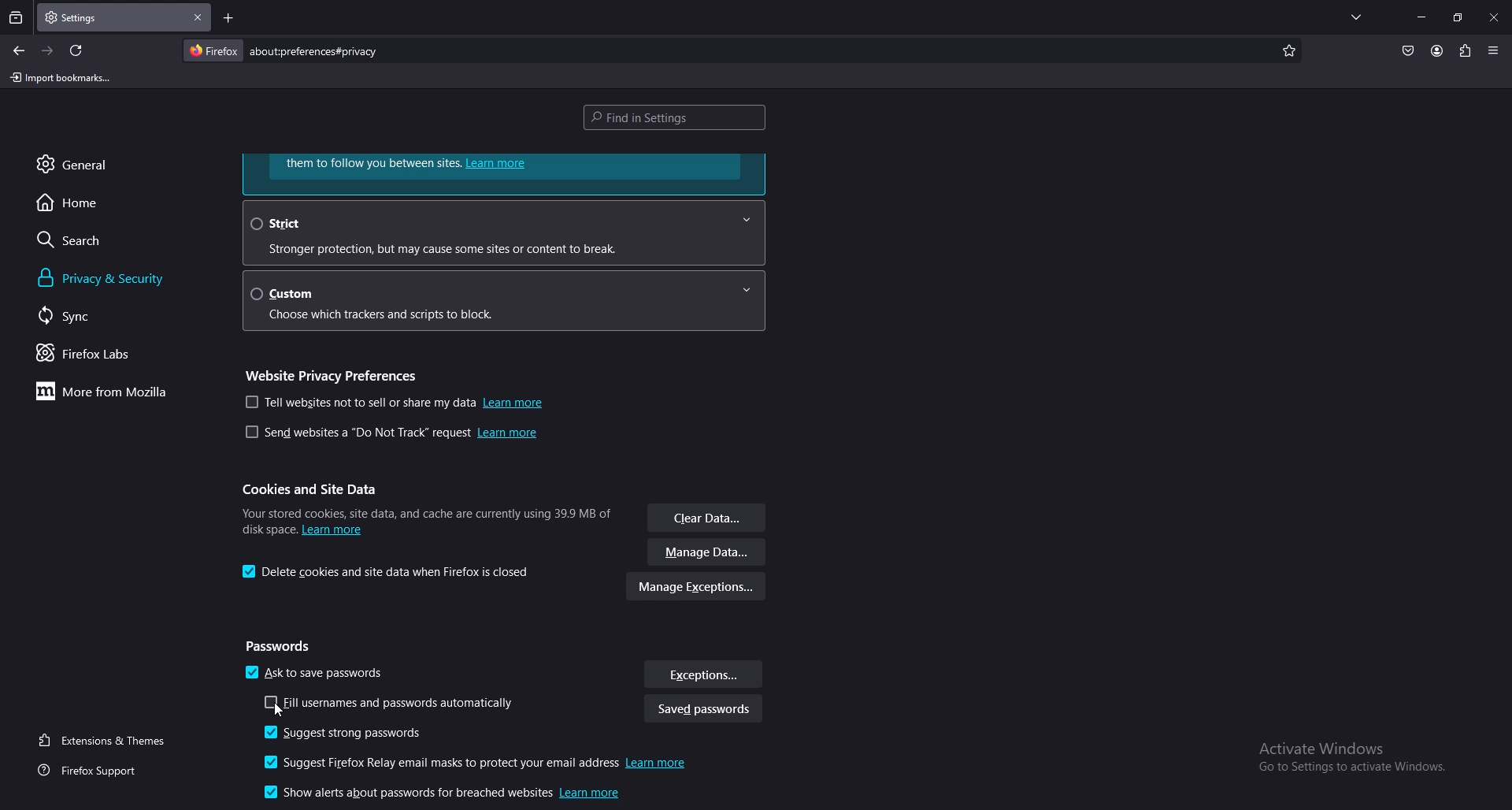 This screenshot has height=810, width=1512. What do you see at coordinates (279, 711) in the screenshot?
I see `cursor` at bounding box center [279, 711].